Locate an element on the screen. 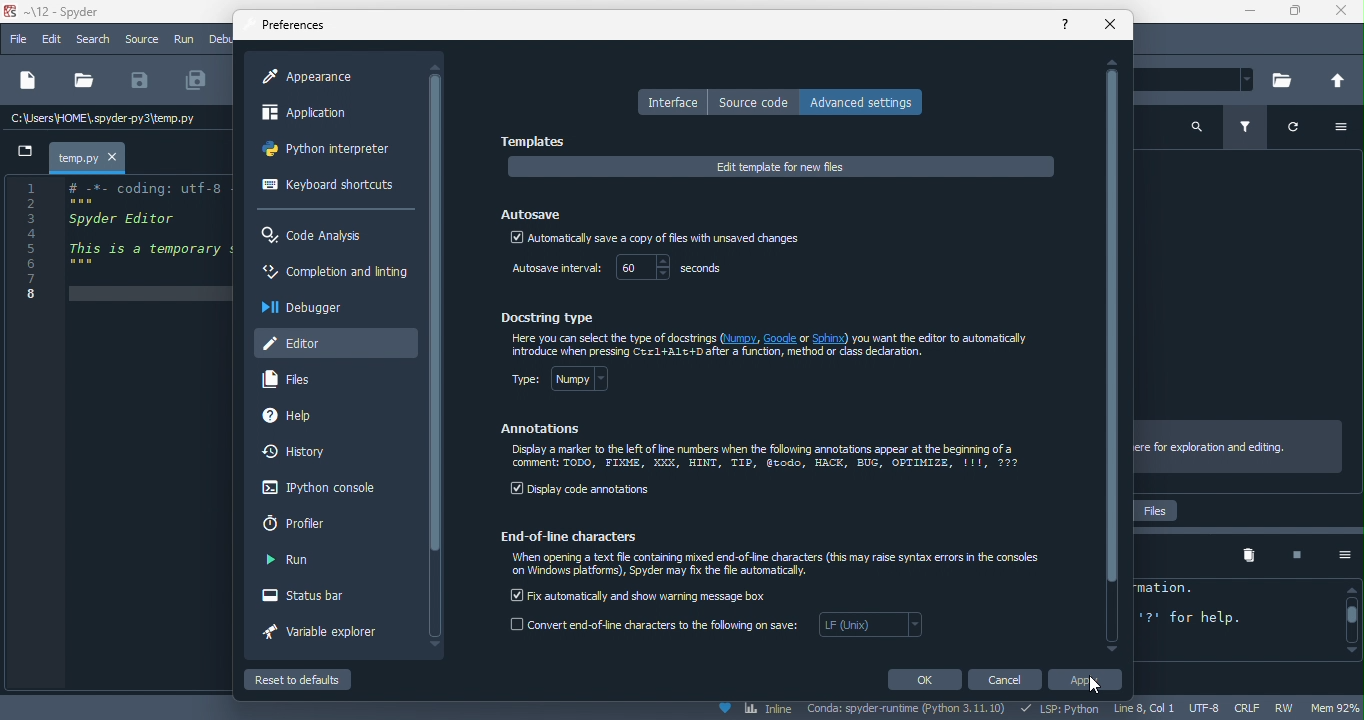  annotations is located at coordinates (543, 429).